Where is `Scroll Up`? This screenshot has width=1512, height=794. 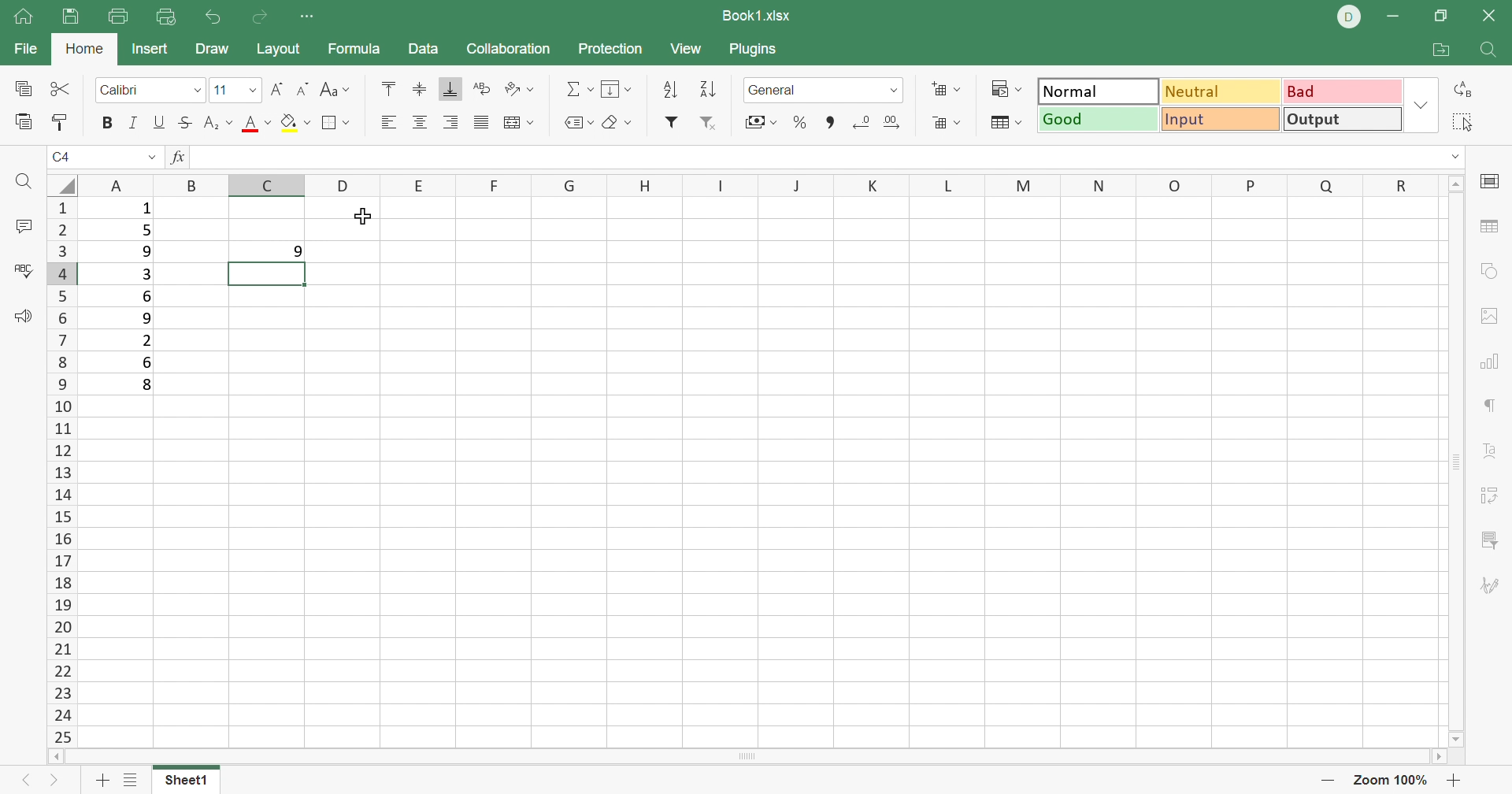
Scroll Up is located at coordinates (1454, 184).